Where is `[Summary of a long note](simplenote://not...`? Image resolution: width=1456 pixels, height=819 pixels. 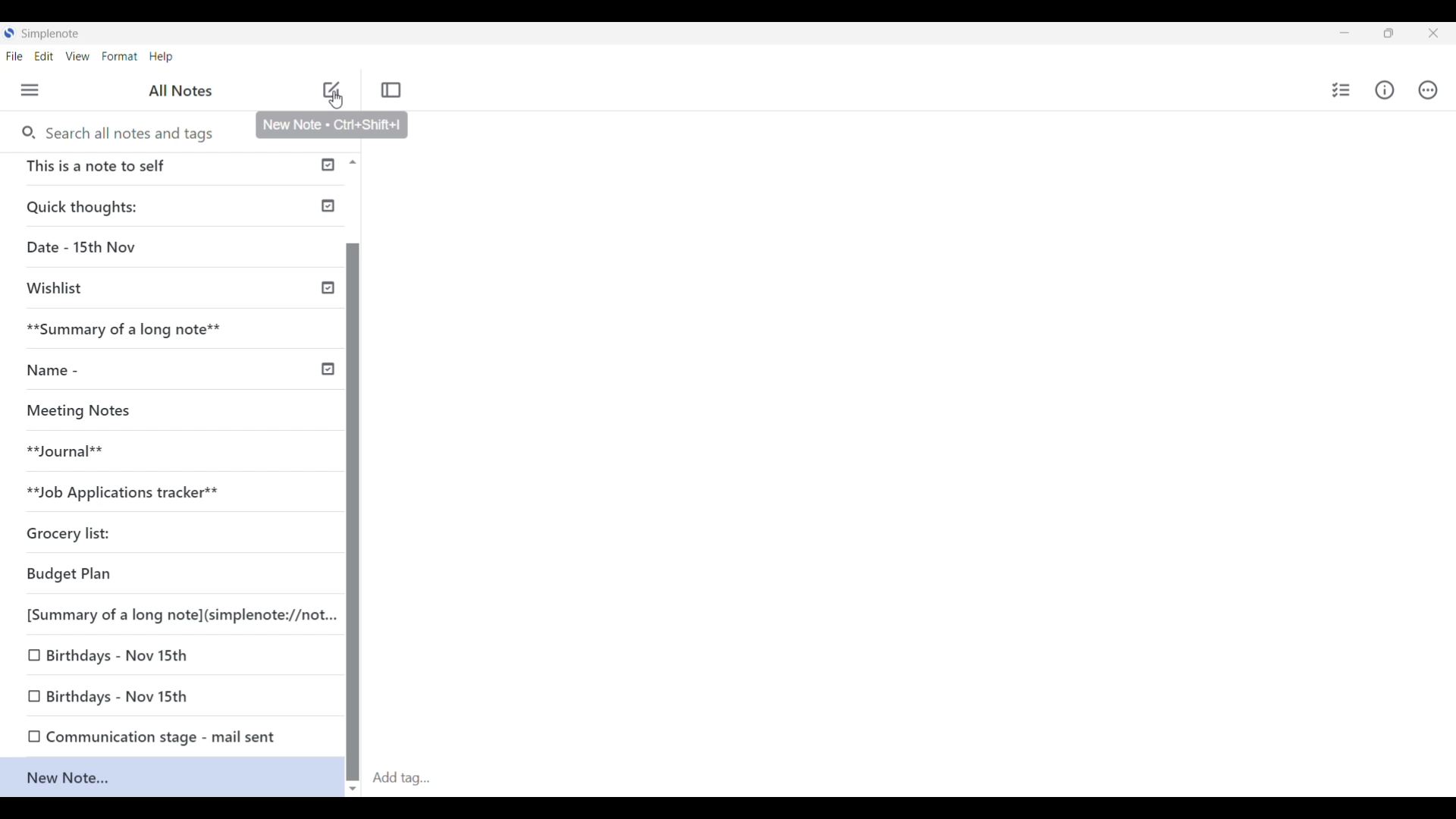 [Summary of a long note](simplenote://not... is located at coordinates (177, 613).